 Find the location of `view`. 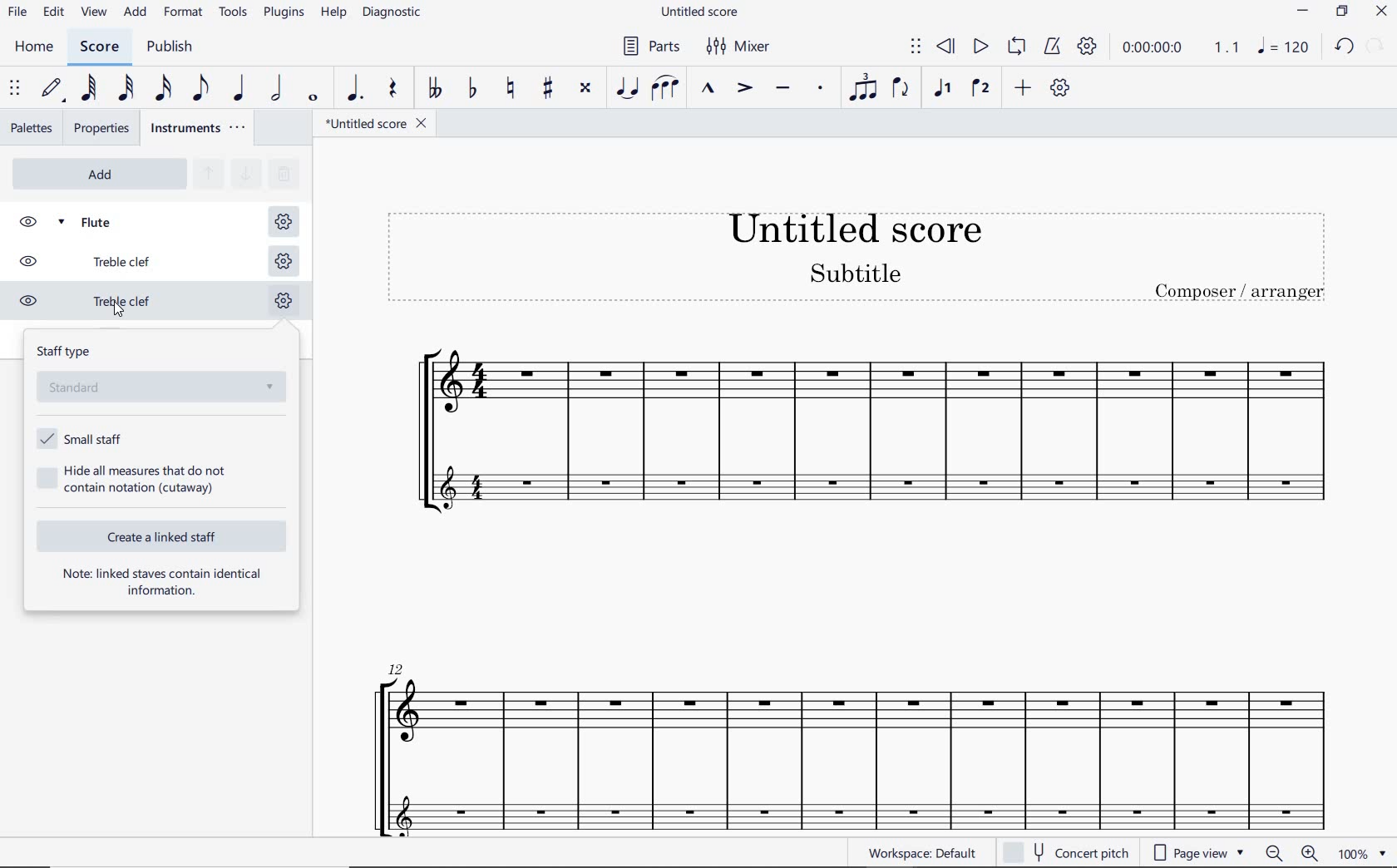

view is located at coordinates (96, 13).